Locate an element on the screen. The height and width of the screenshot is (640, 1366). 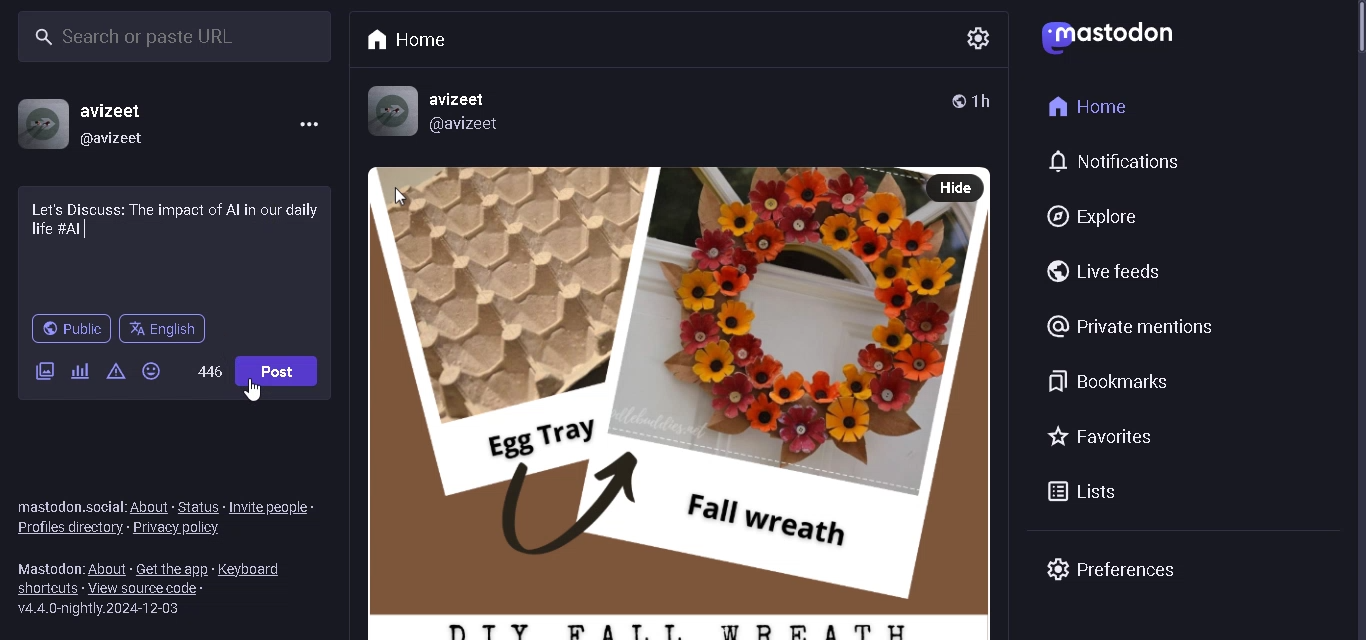
ADD IMAGE is located at coordinates (44, 369).